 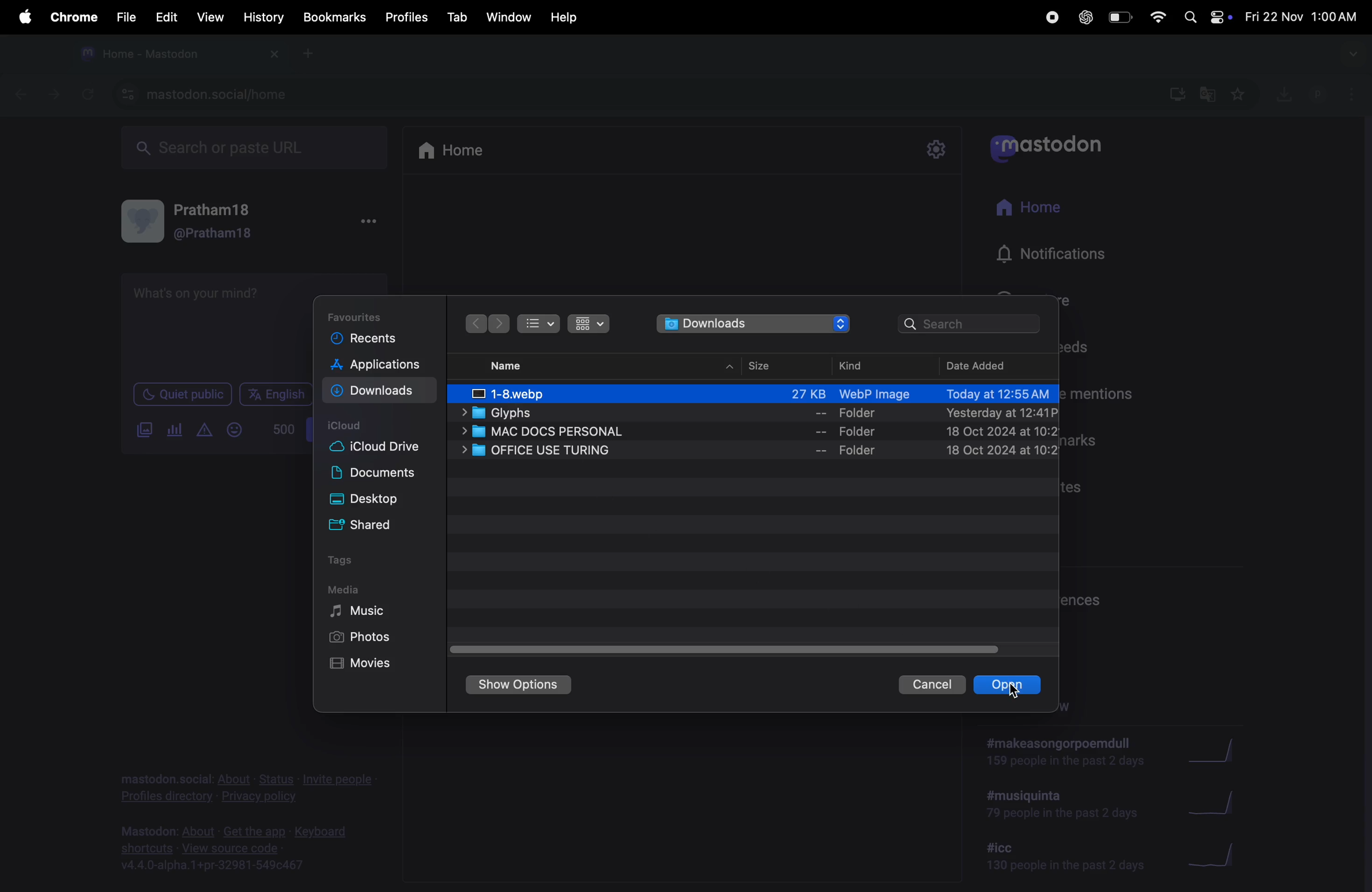 What do you see at coordinates (1118, 18) in the screenshot?
I see `battery` at bounding box center [1118, 18].